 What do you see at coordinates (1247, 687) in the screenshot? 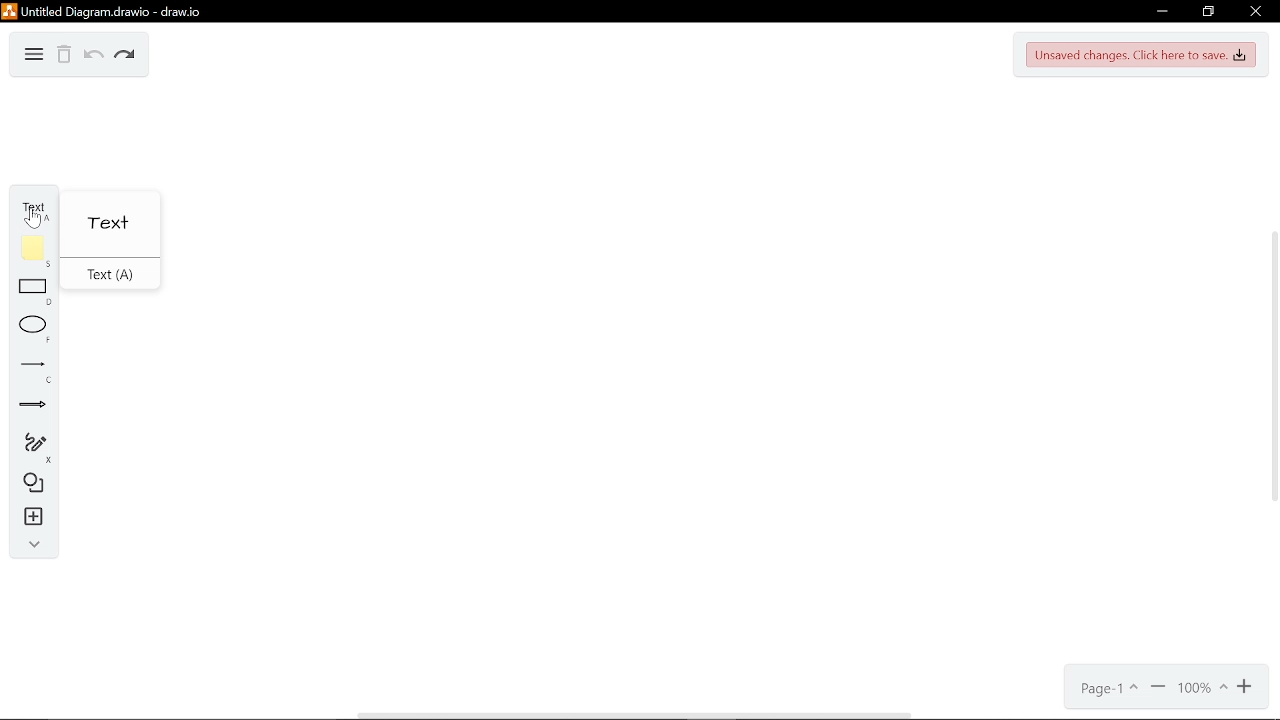
I see `Zoom in` at bounding box center [1247, 687].